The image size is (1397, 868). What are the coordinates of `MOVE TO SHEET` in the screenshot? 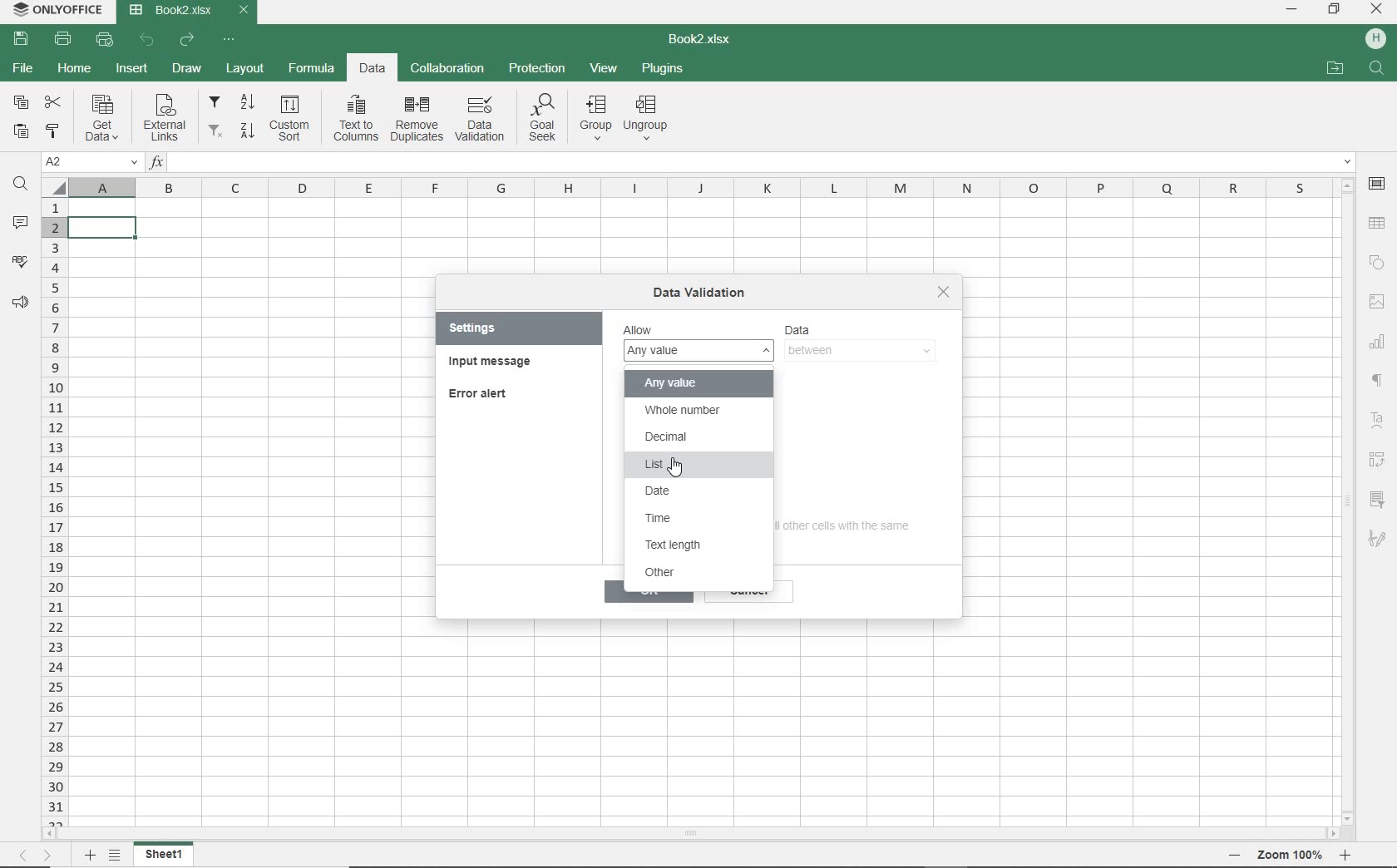 It's located at (32, 857).